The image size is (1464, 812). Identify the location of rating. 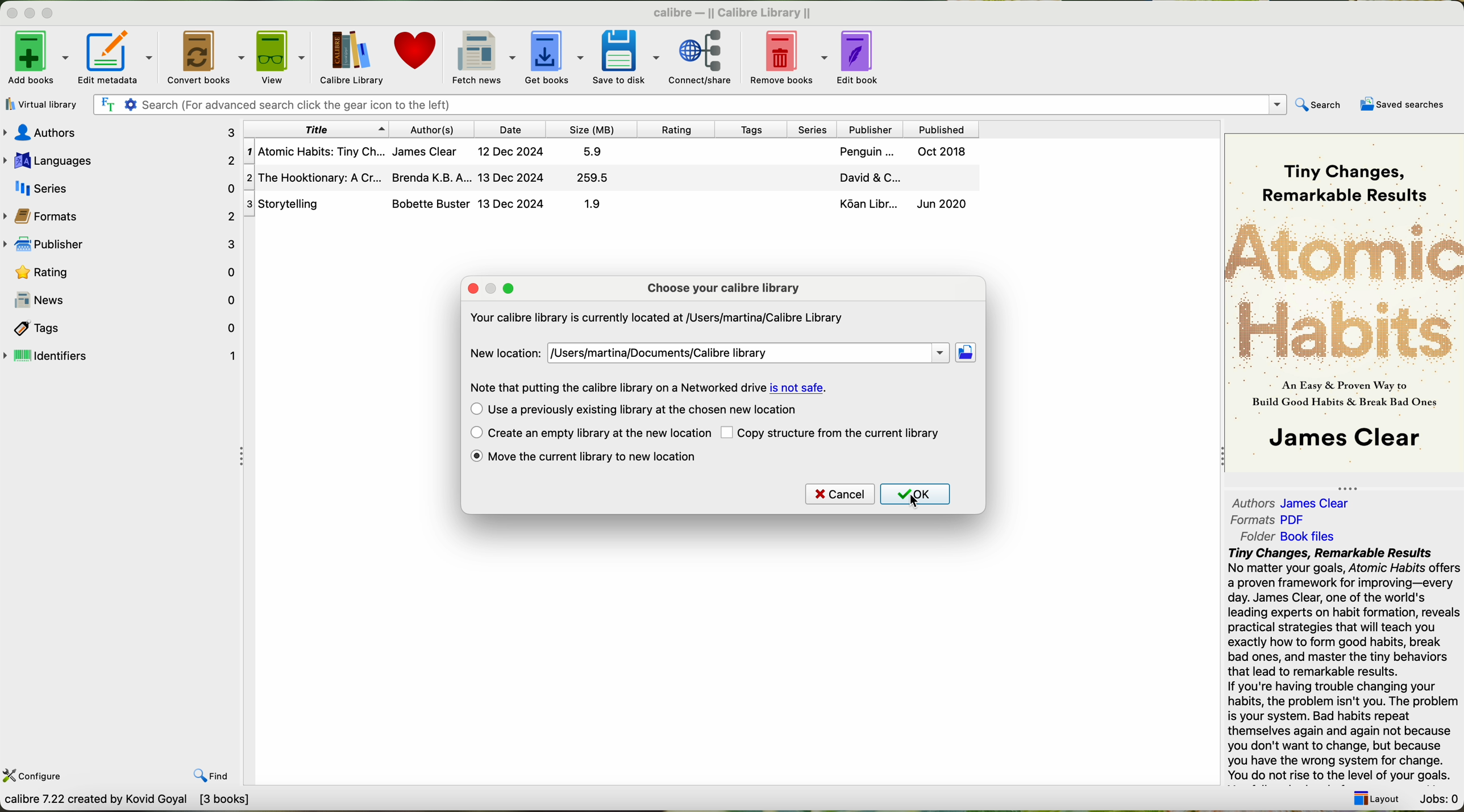
(122, 272).